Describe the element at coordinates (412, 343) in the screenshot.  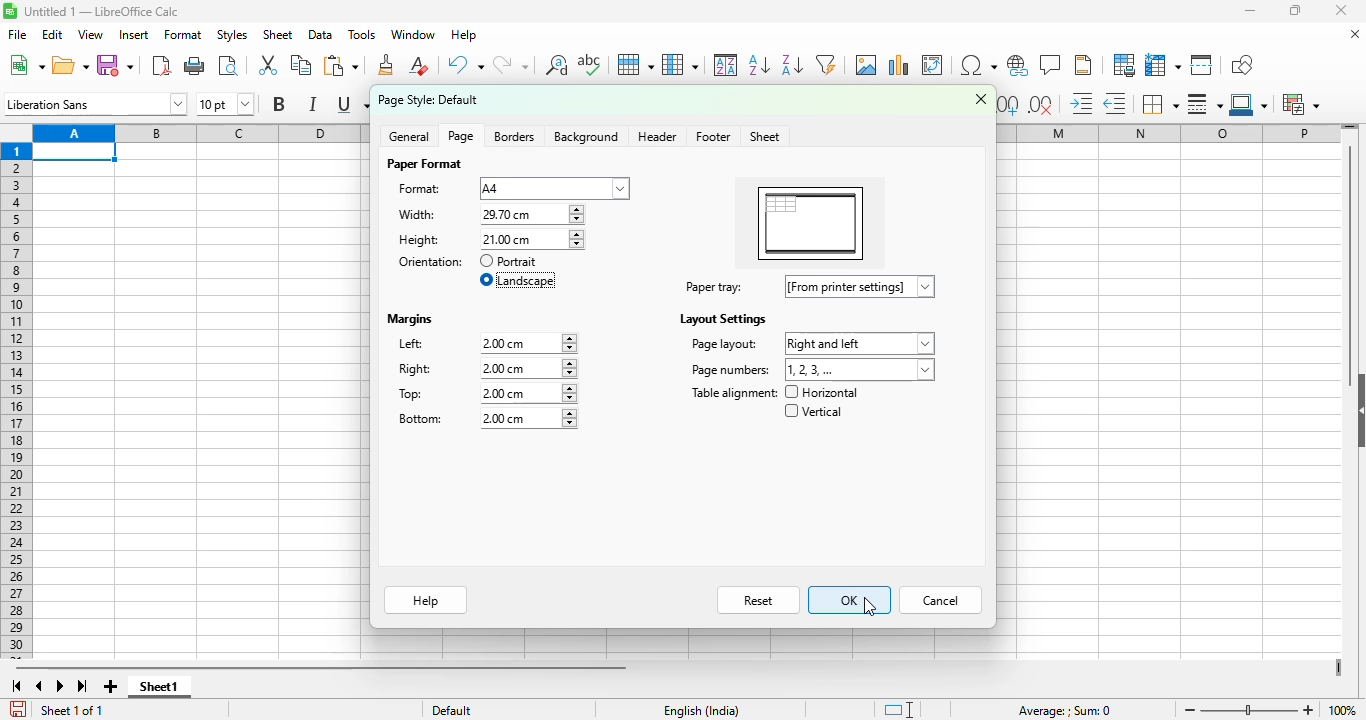
I see `left: ` at that location.